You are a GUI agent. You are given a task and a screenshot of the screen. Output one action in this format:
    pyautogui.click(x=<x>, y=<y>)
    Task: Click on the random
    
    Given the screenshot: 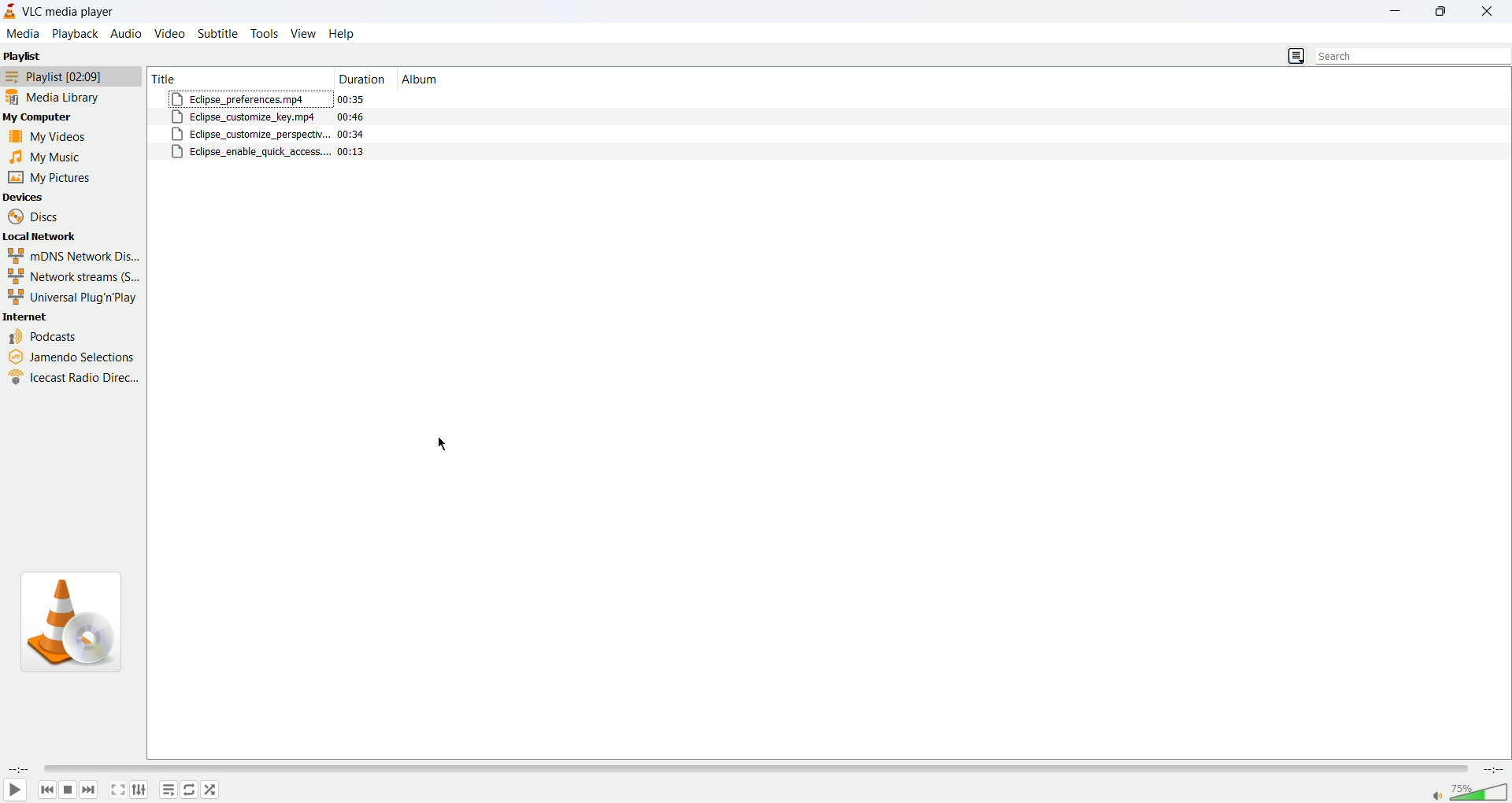 What is the action you would take?
    pyautogui.click(x=210, y=790)
    